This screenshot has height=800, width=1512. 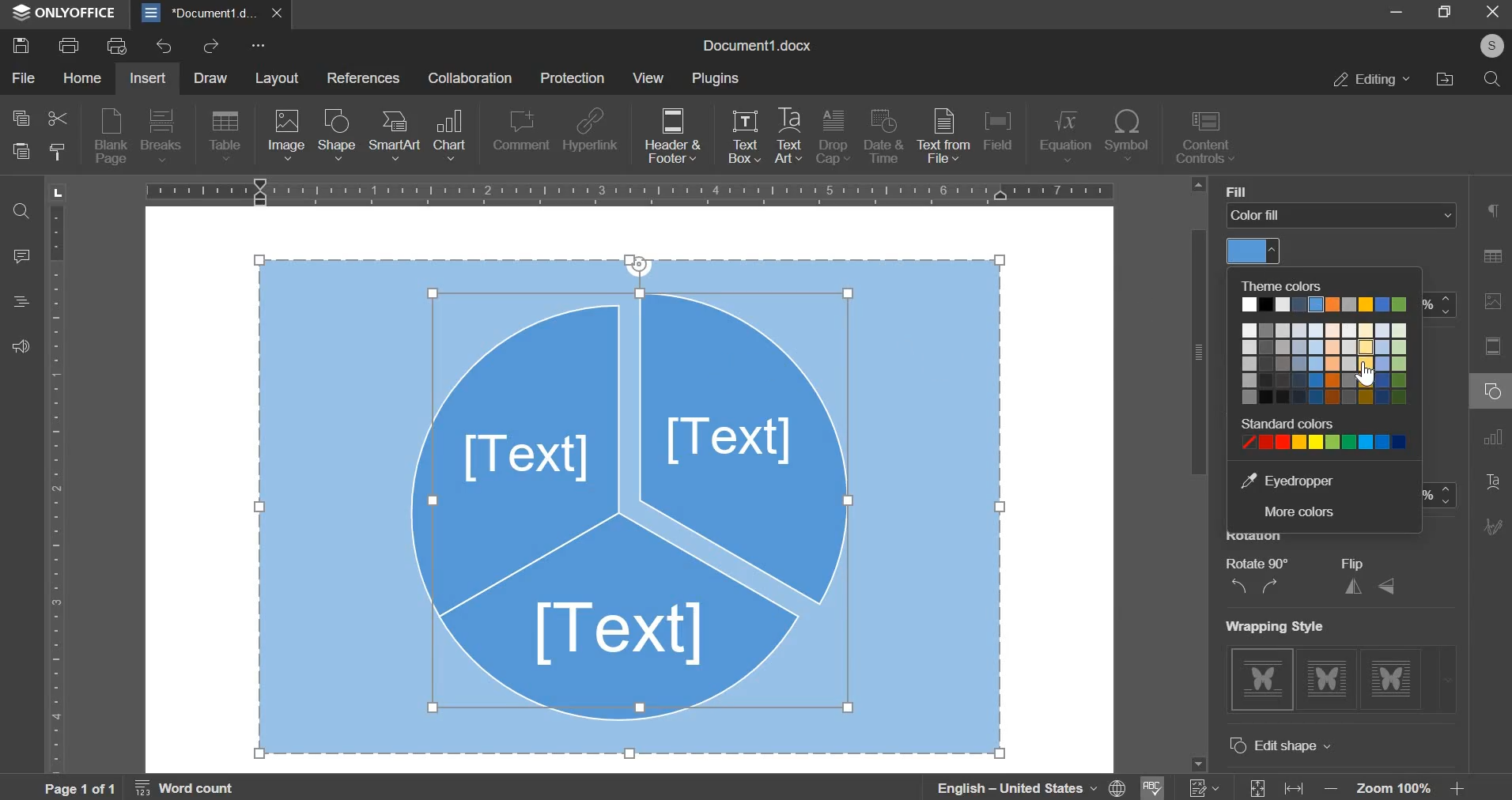 I want to click on hyperlink, so click(x=592, y=128).